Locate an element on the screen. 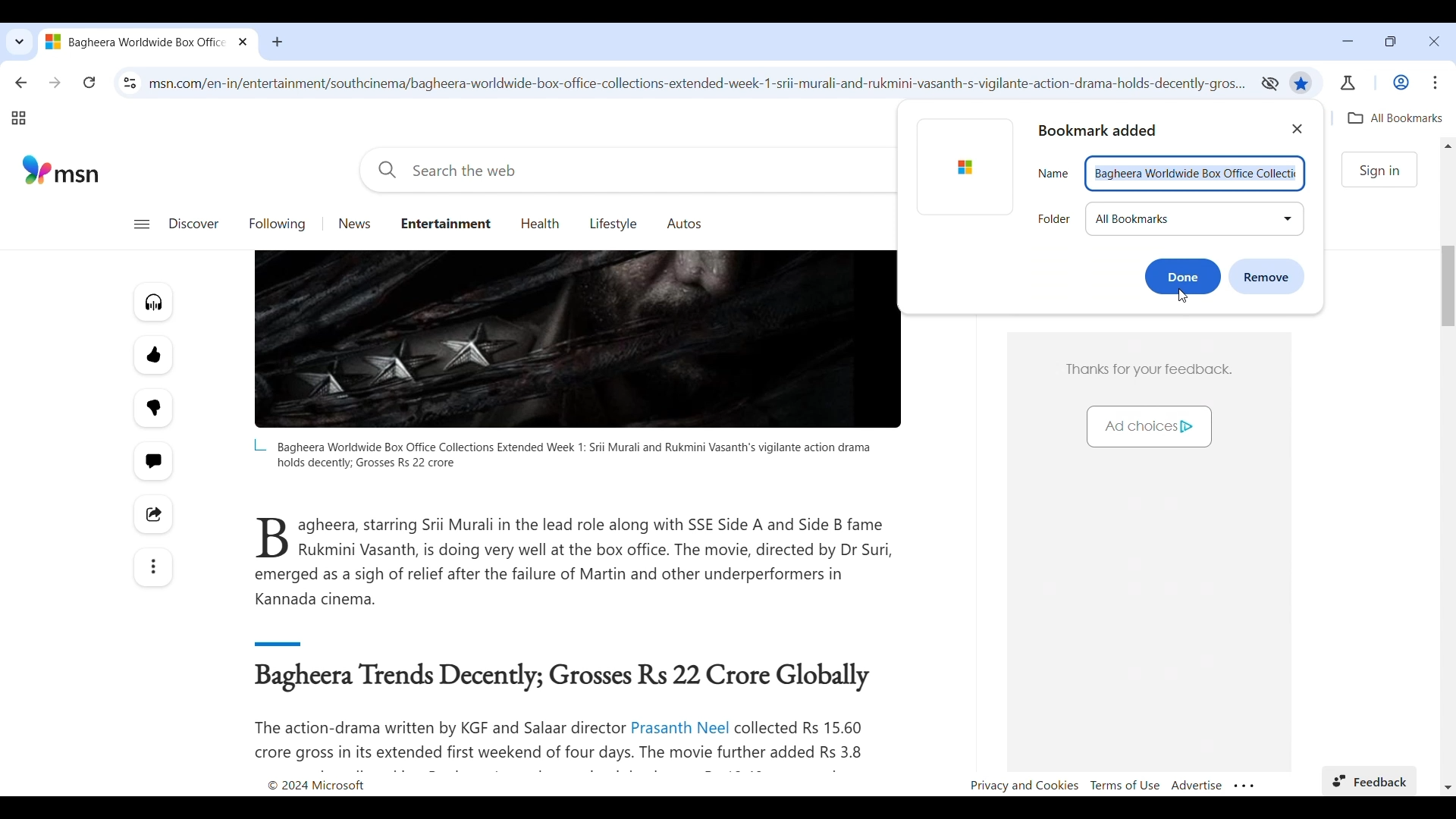  Close bookmark window is located at coordinates (1298, 129).